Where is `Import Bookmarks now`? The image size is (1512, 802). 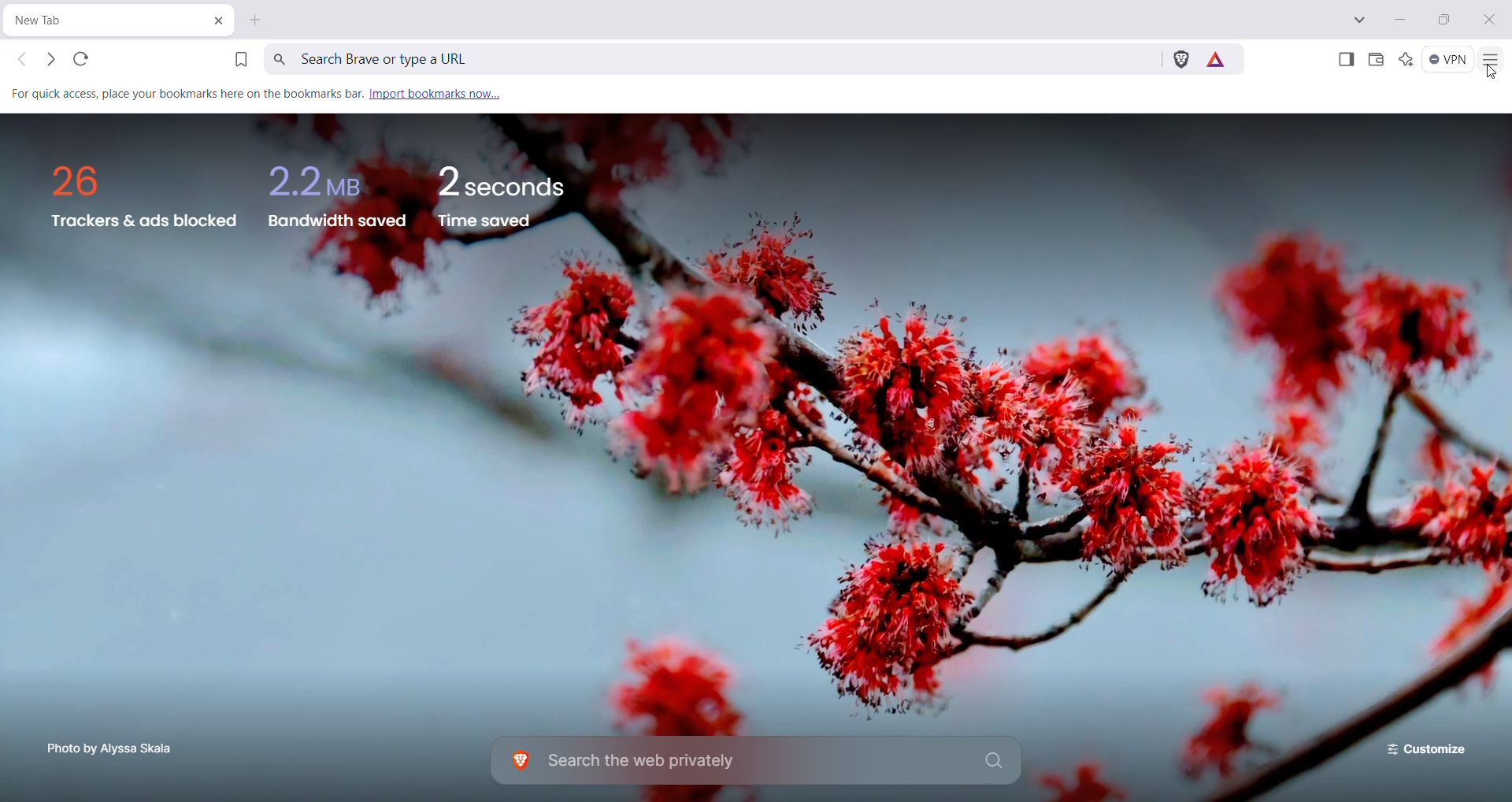 Import Bookmarks now is located at coordinates (435, 92).